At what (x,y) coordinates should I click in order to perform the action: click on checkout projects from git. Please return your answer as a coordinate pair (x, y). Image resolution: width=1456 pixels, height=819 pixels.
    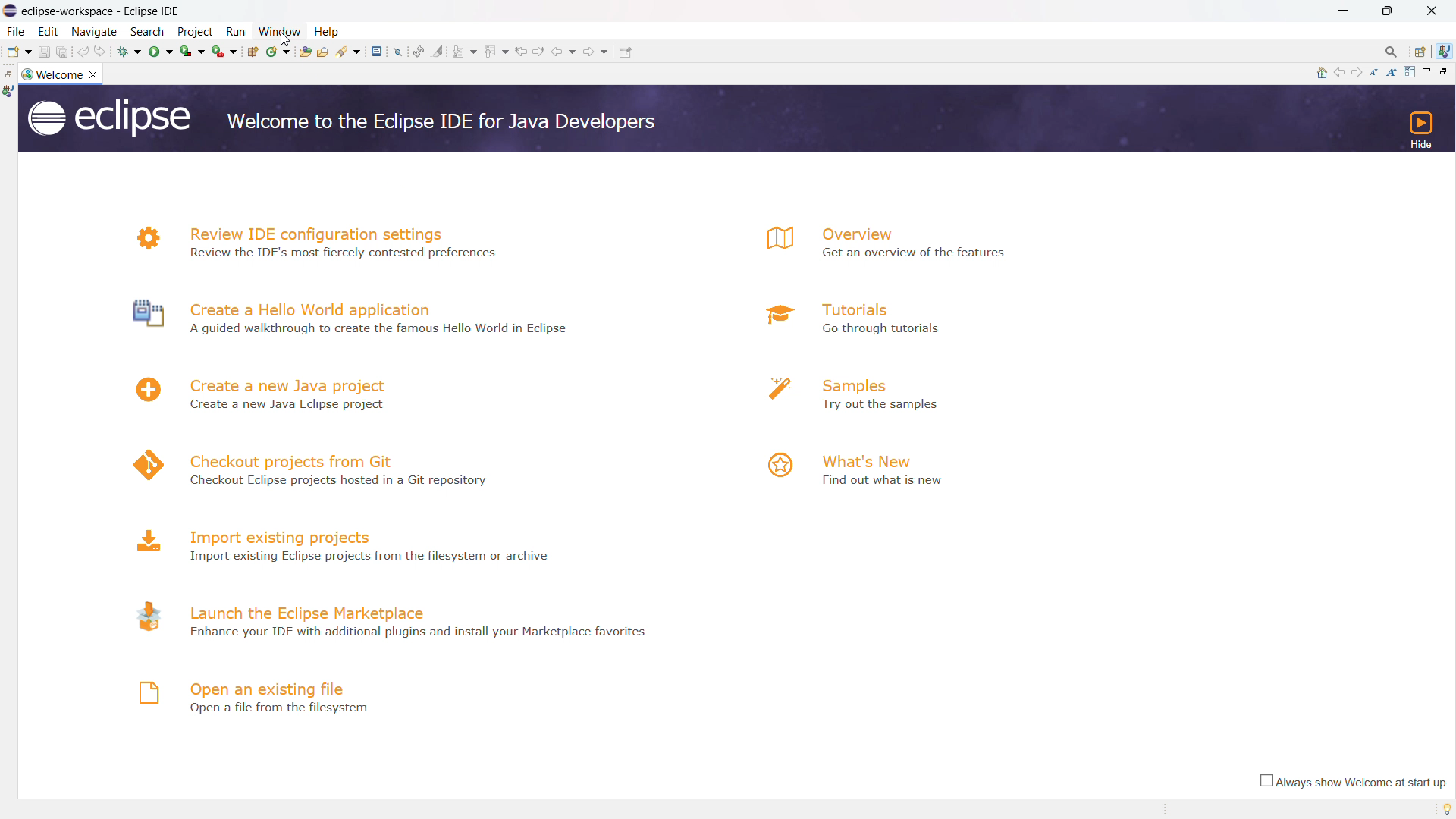
    Looking at the image, I should click on (293, 460).